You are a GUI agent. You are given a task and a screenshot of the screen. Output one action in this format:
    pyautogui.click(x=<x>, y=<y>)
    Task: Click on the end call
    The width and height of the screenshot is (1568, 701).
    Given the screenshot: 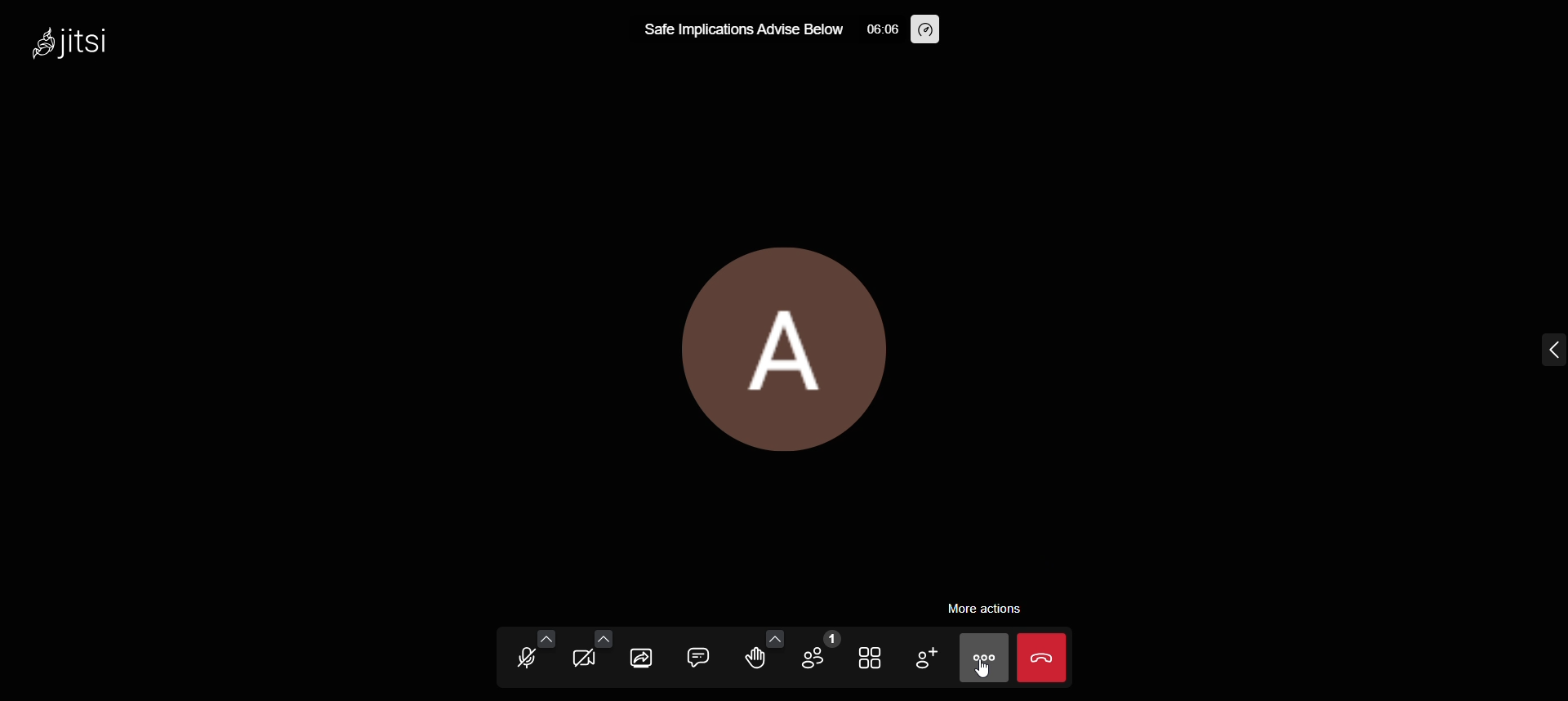 What is the action you would take?
    pyautogui.click(x=1041, y=657)
    